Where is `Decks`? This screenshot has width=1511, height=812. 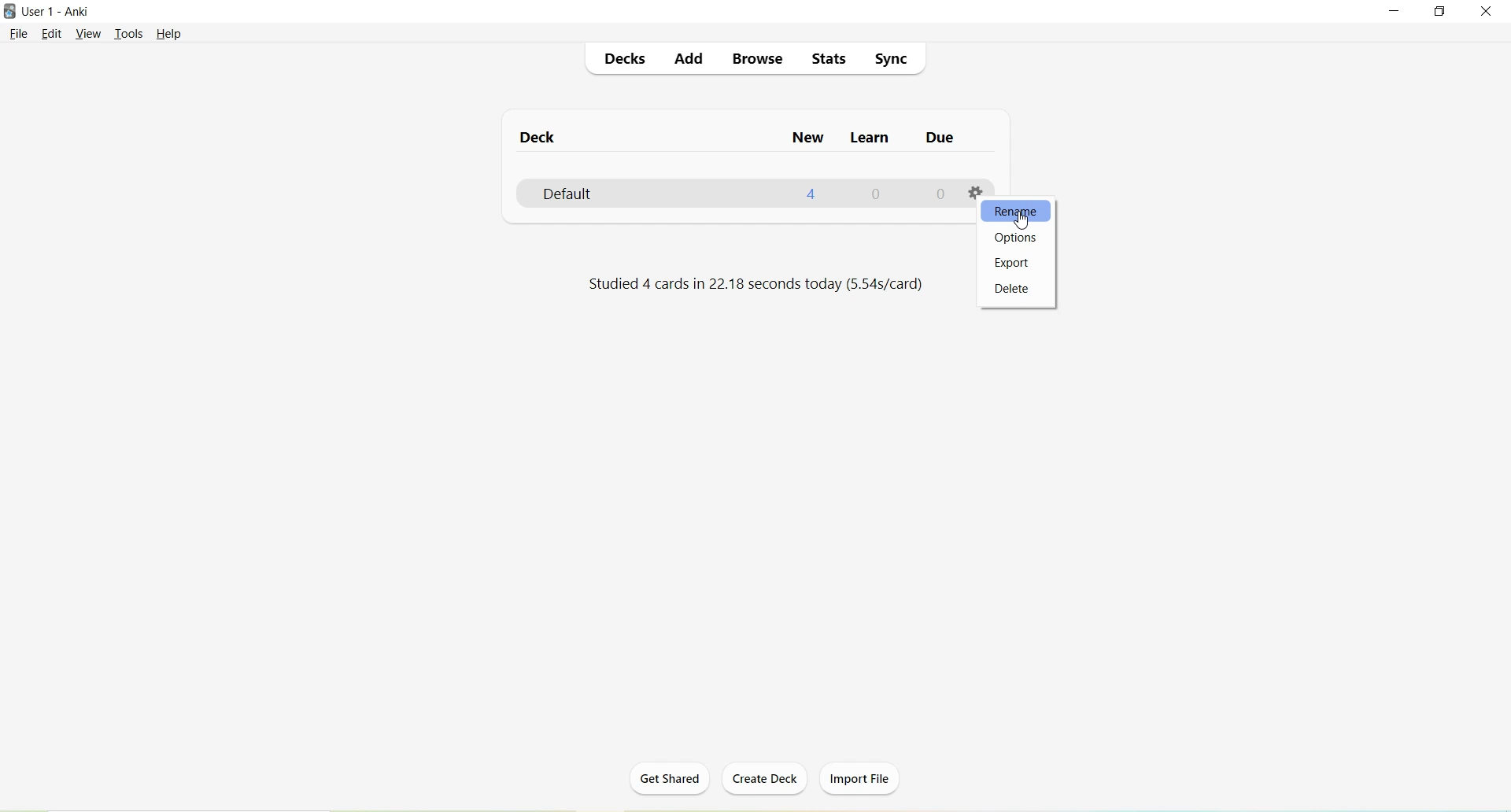
Decks is located at coordinates (624, 60).